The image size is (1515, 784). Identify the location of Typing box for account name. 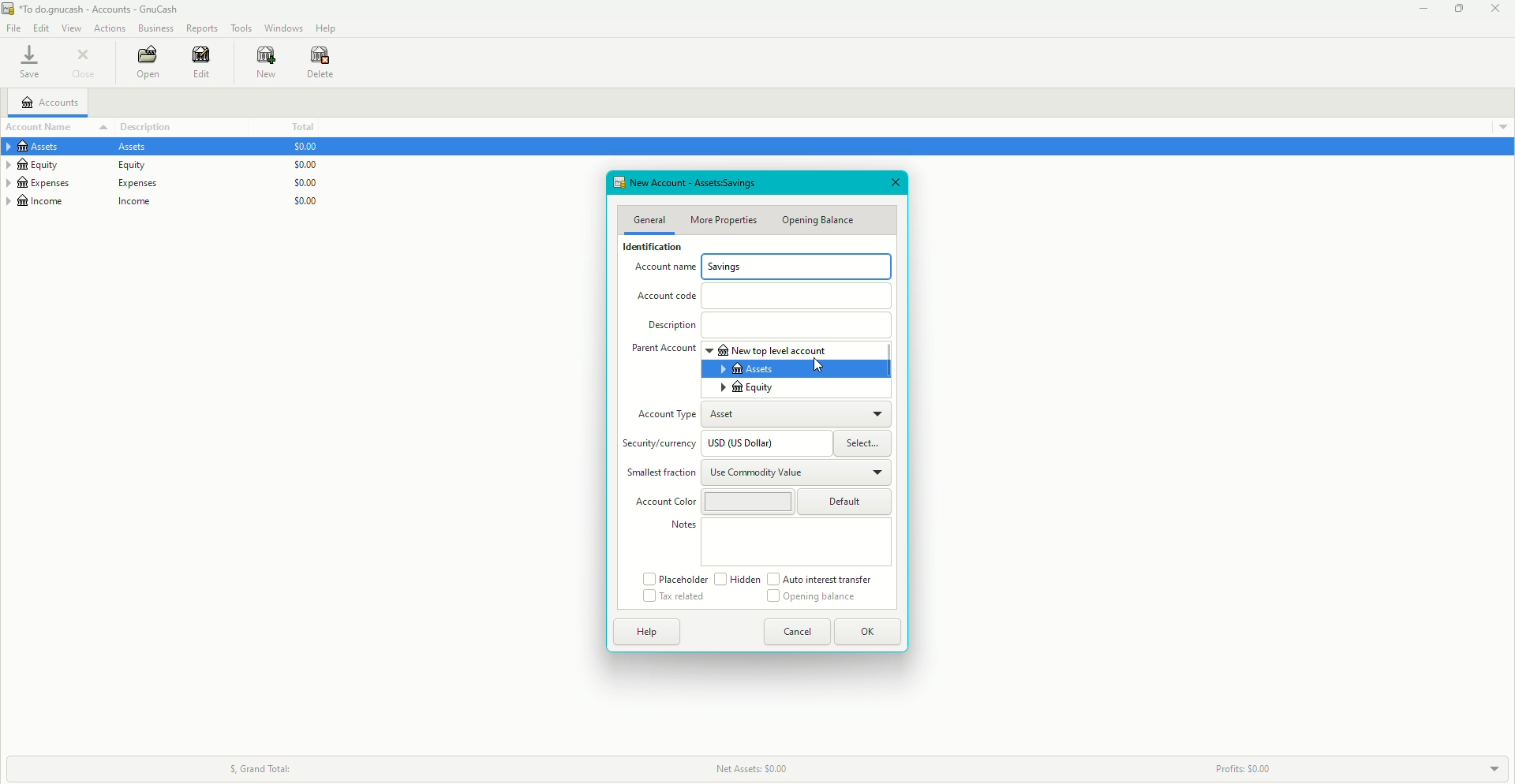
(798, 266).